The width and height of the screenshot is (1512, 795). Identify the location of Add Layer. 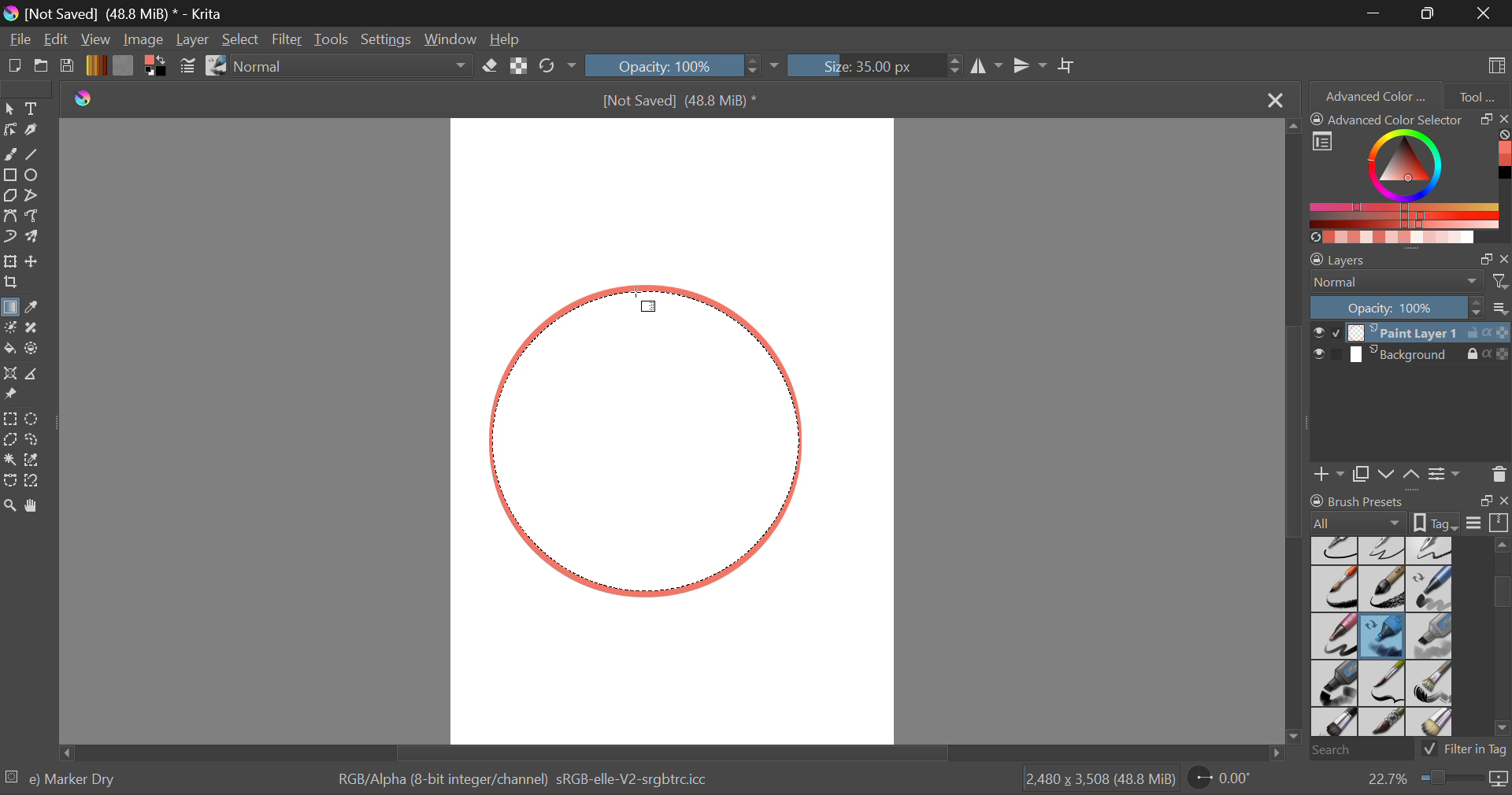
(1329, 472).